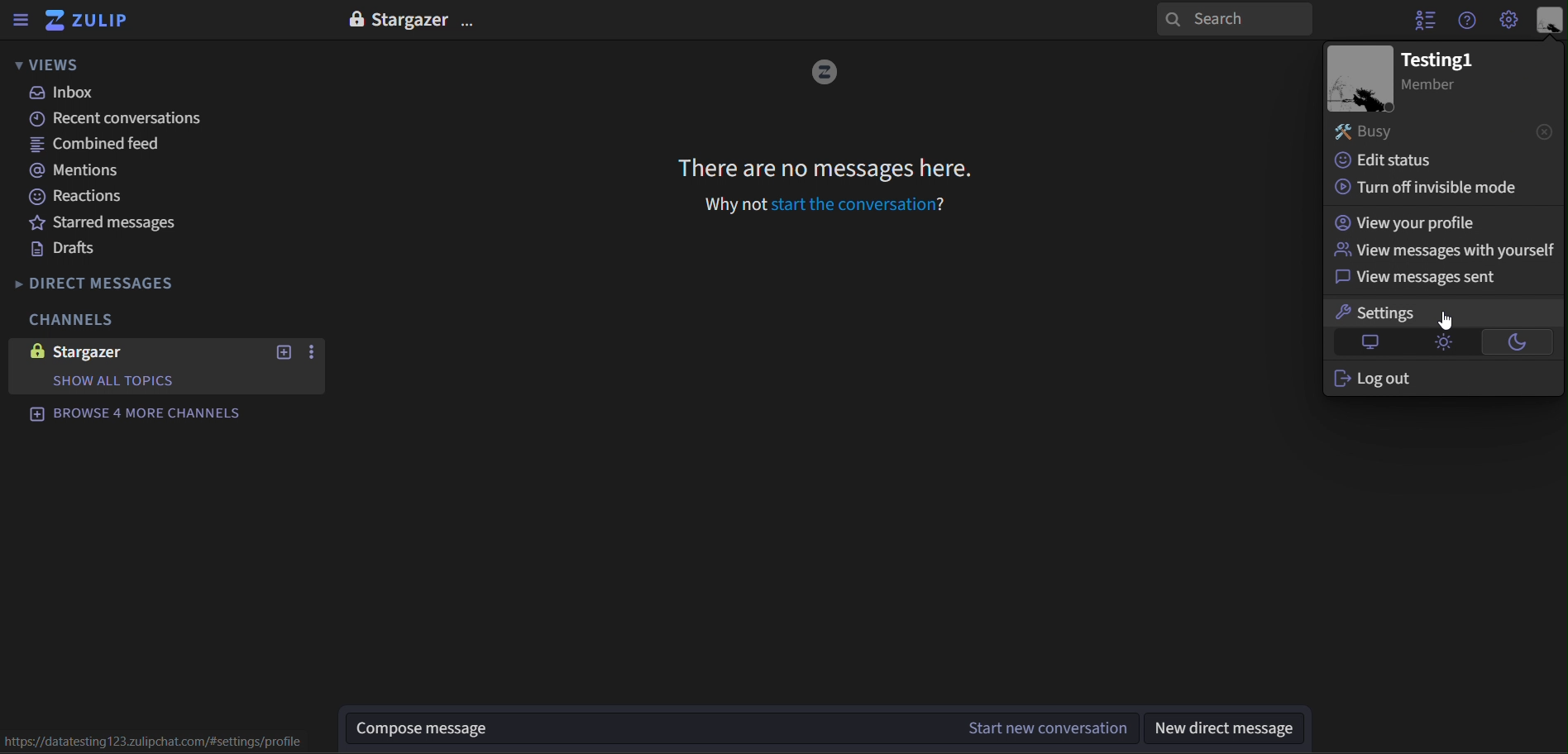 Image resolution: width=1568 pixels, height=754 pixels. What do you see at coordinates (311, 352) in the screenshot?
I see `...` at bounding box center [311, 352].